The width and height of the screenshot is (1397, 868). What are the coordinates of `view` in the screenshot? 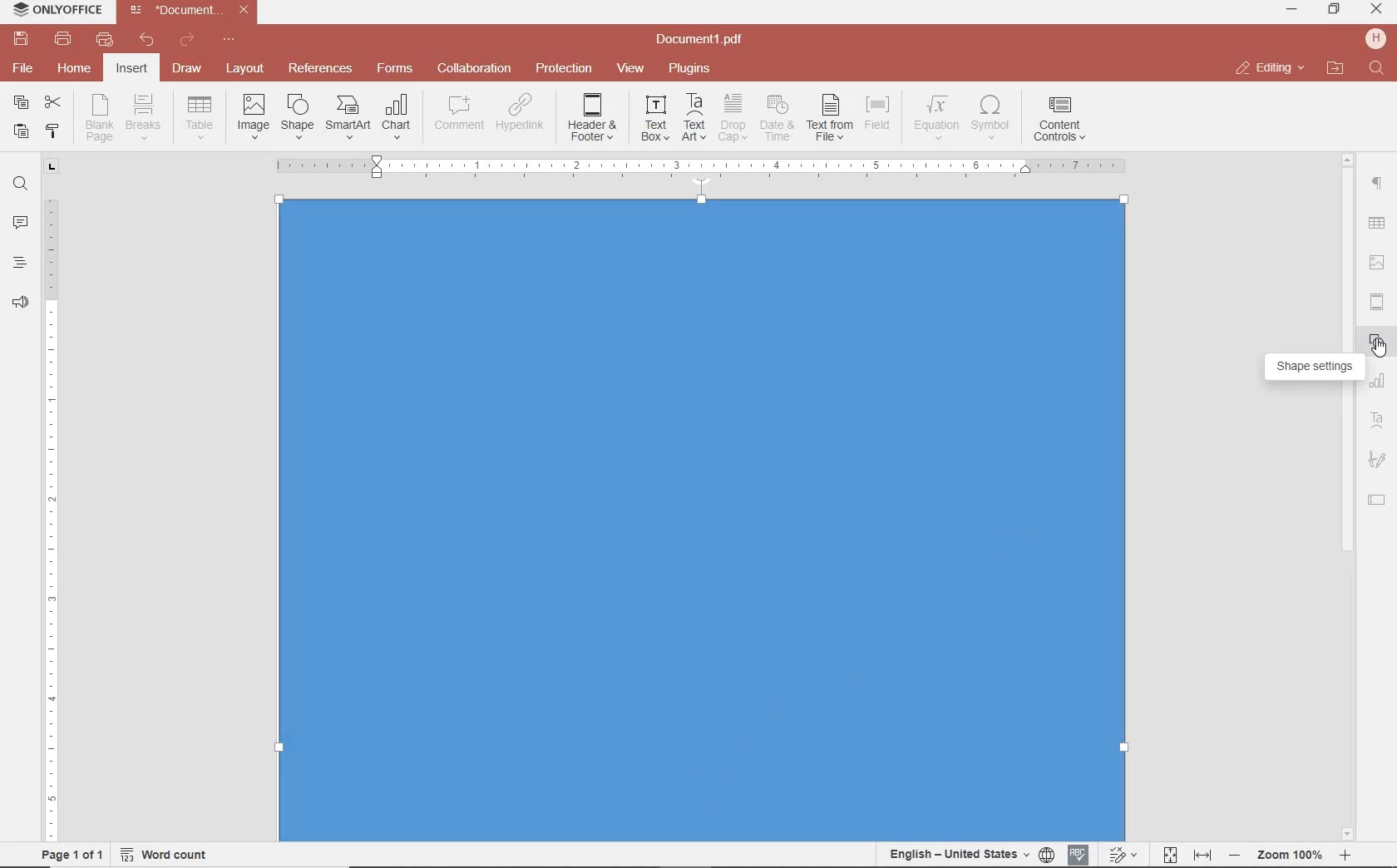 It's located at (630, 69).